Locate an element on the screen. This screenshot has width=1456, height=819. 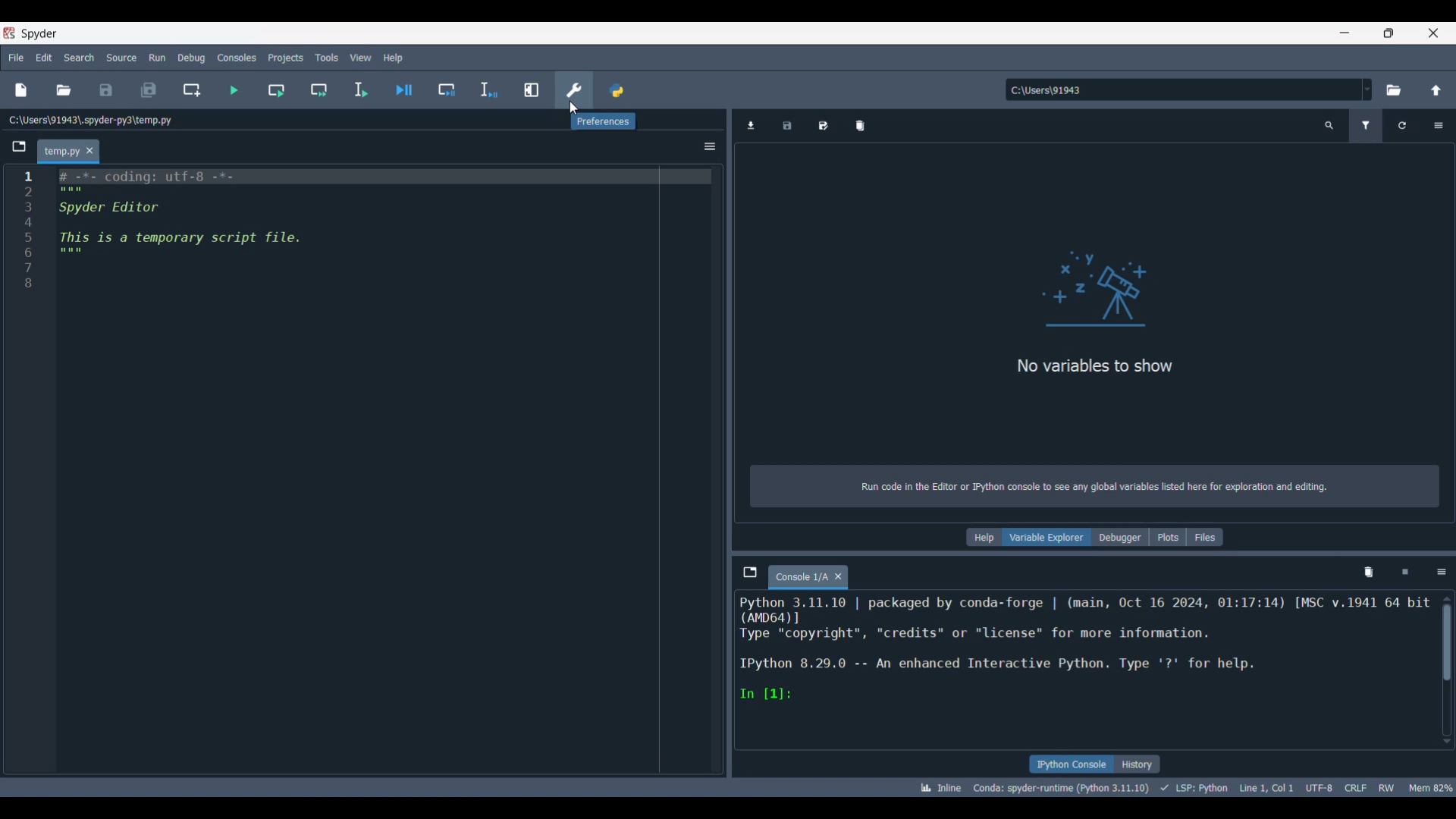
Preferences is located at coordinates (575, 90).